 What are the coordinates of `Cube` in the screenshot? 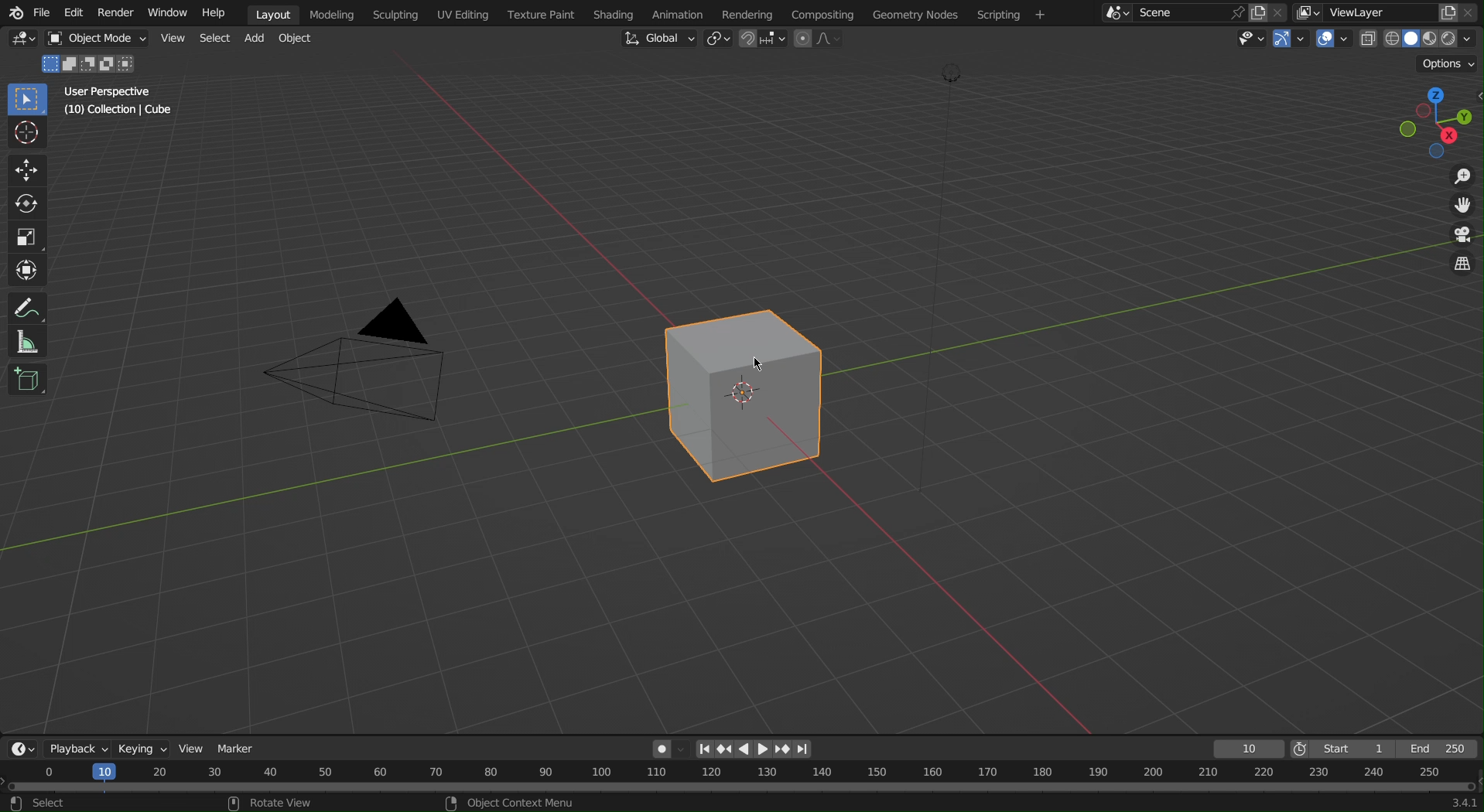 It's located at (27, 382).